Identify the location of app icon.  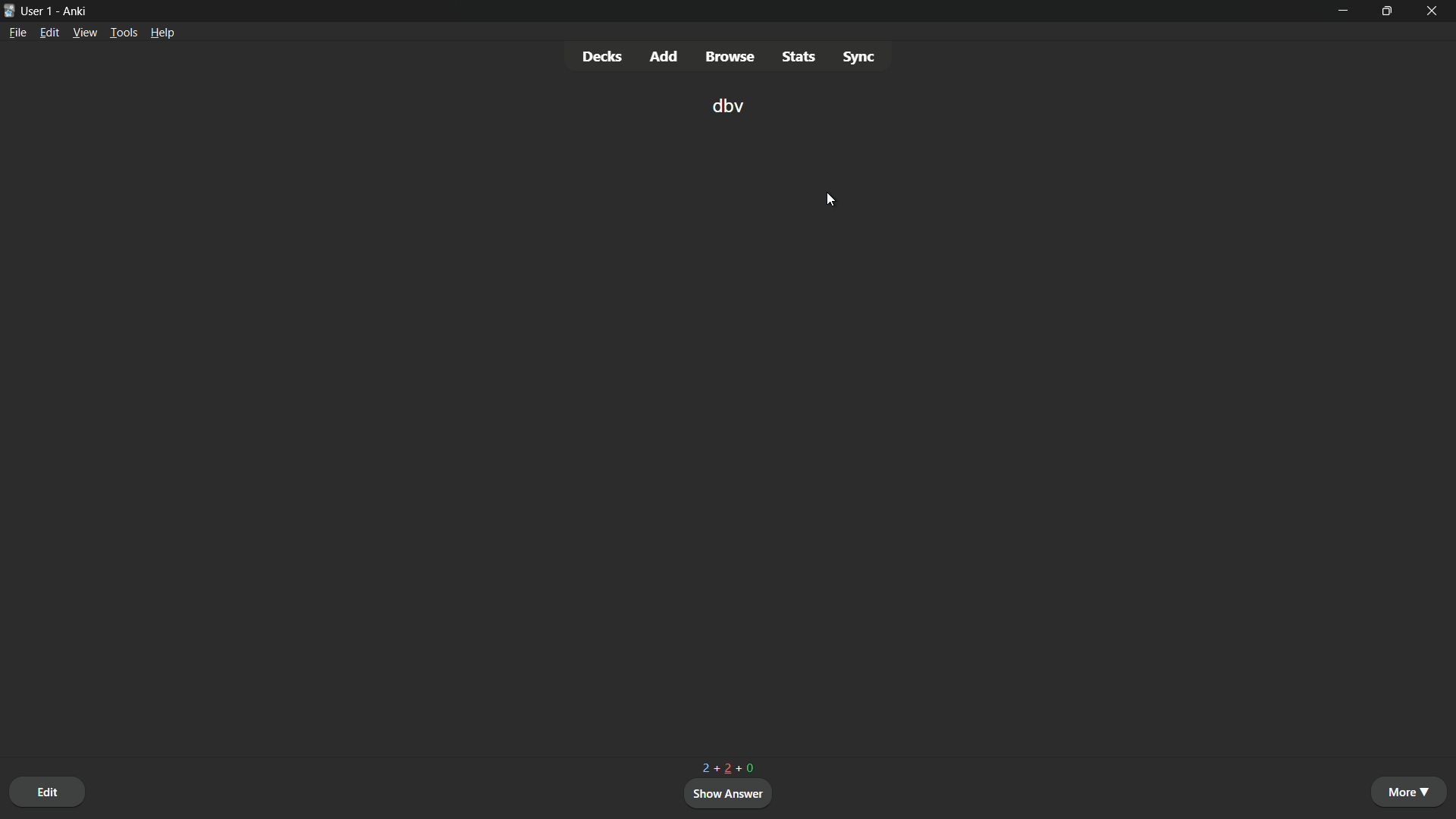
(9, 9).